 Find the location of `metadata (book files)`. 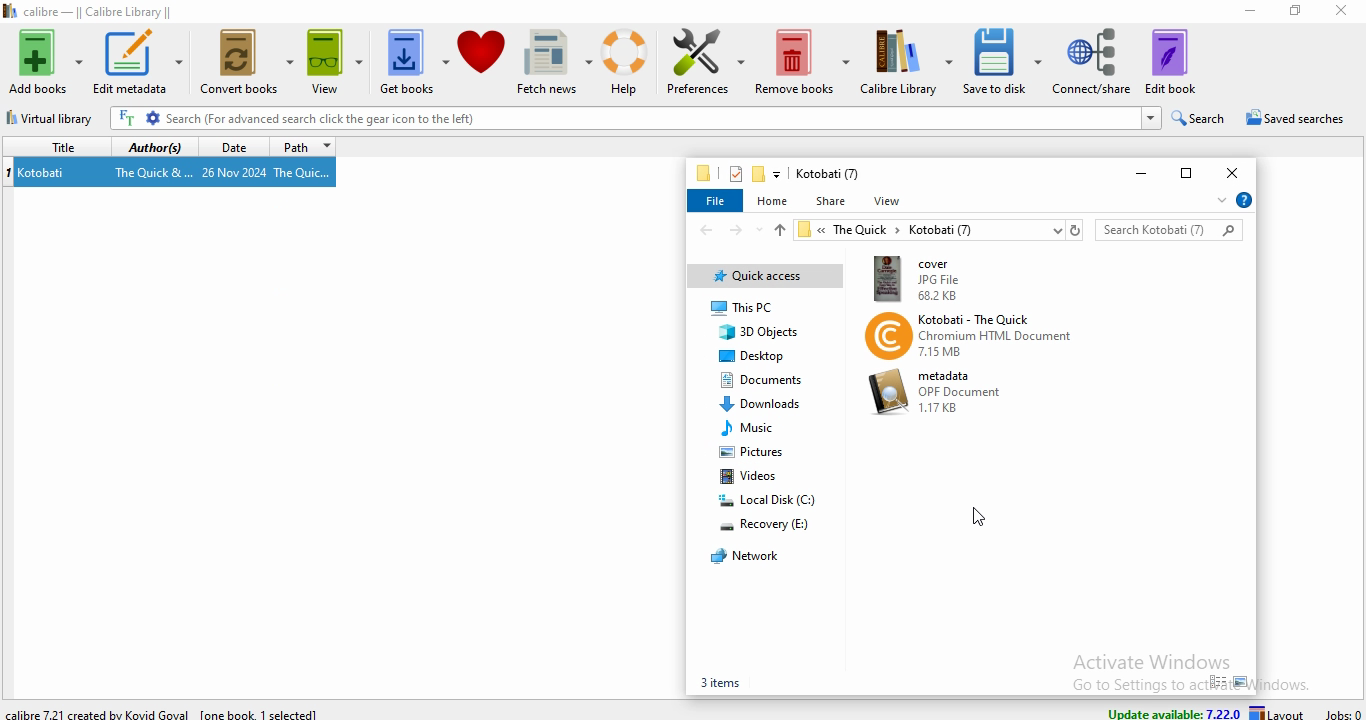

metadata (book files) is located at coordinates (939, 392).